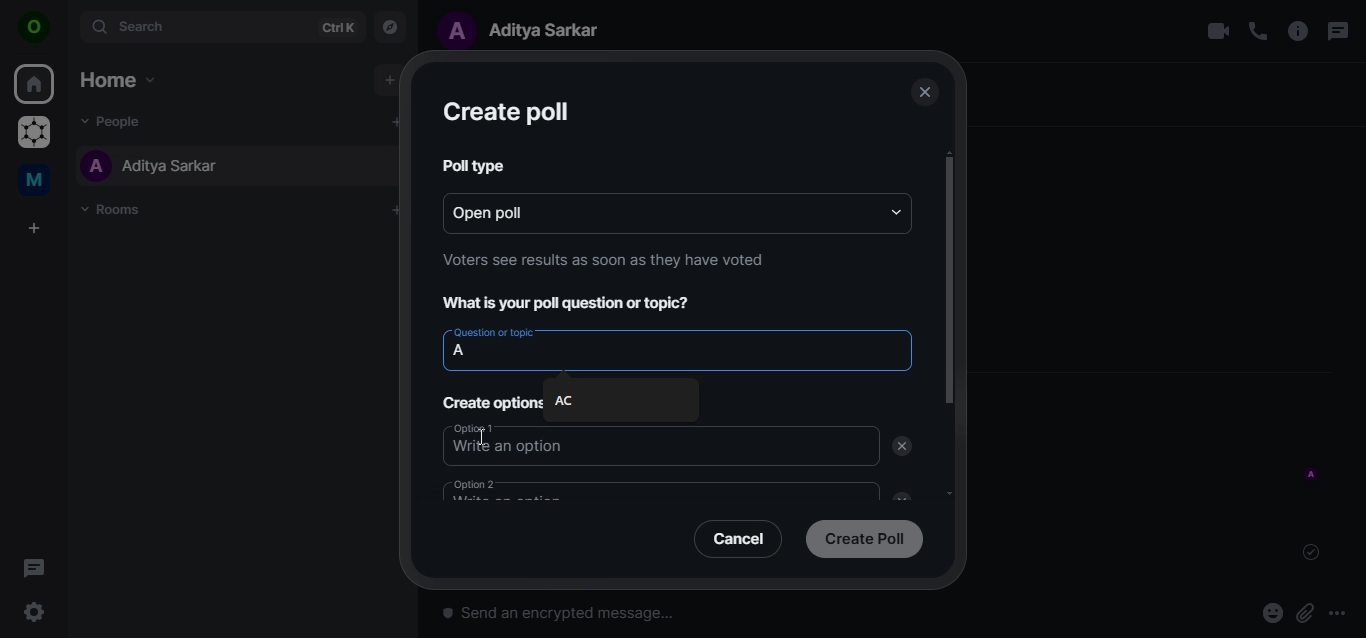  What do you see at coordinates (37, 183) in the screenshot?
I see `me` at bounding box center [37, 183].